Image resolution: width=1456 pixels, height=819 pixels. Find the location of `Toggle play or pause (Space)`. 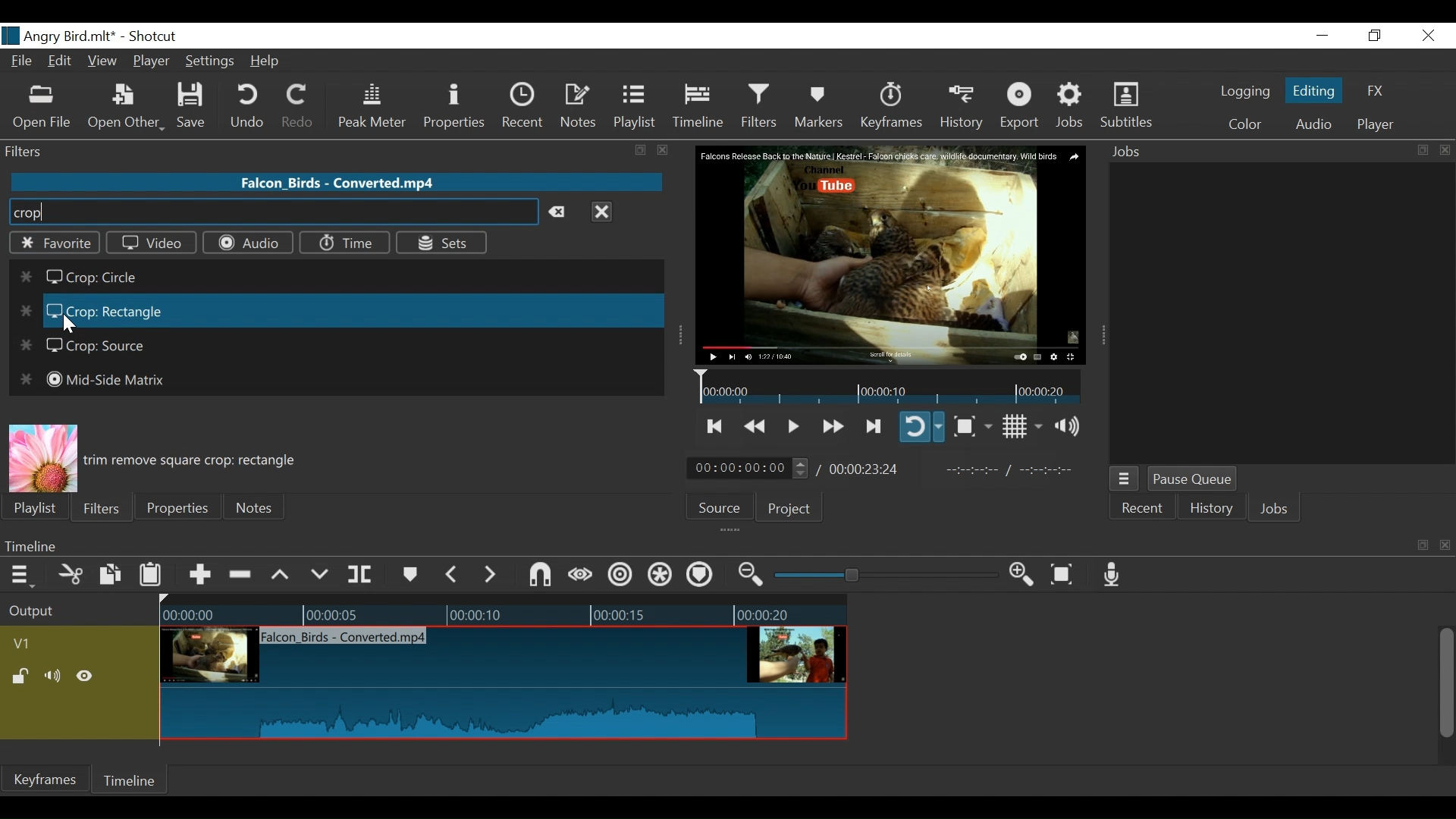

Toggle play or pause (Space) is located at coordinates (791, 428).